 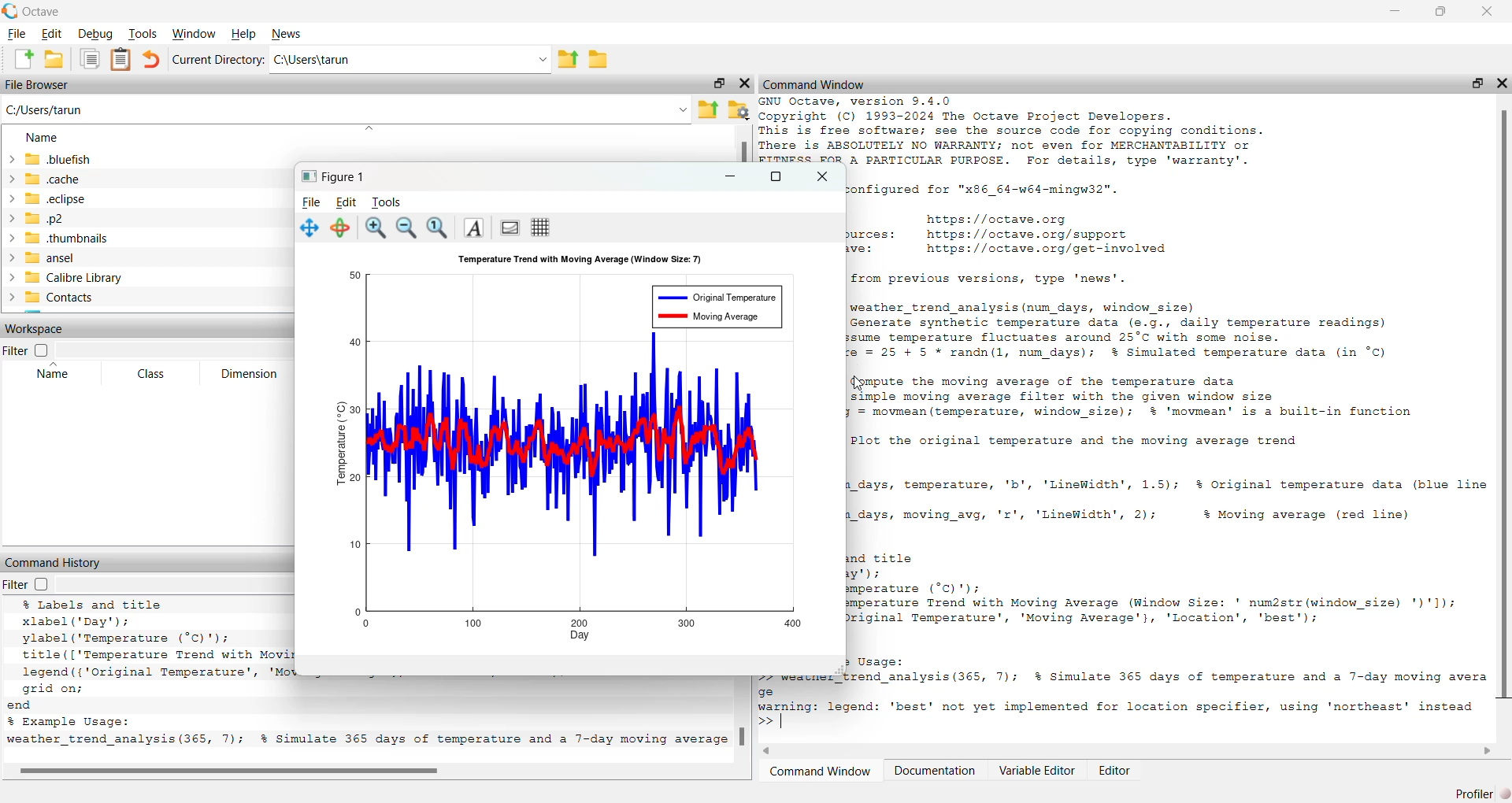 I want to click on Selection Tool, so click(x=342, y=228).